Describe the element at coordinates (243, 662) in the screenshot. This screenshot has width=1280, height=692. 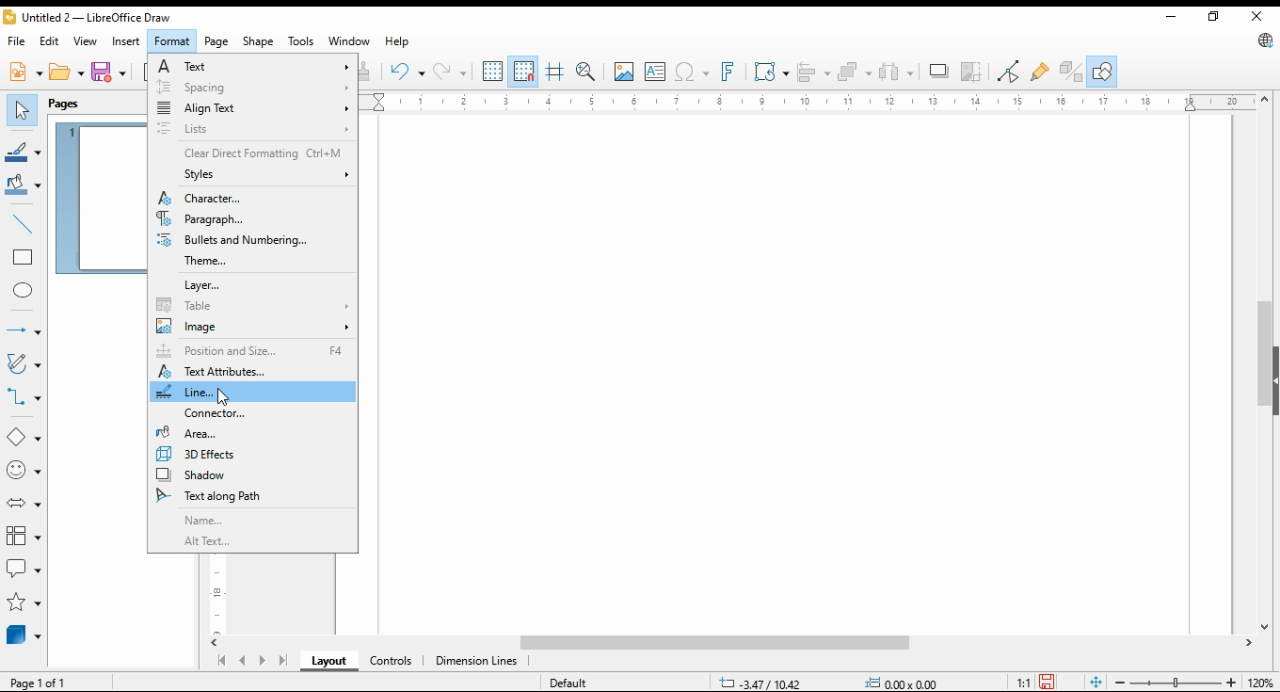
I see `previous page` at that location.